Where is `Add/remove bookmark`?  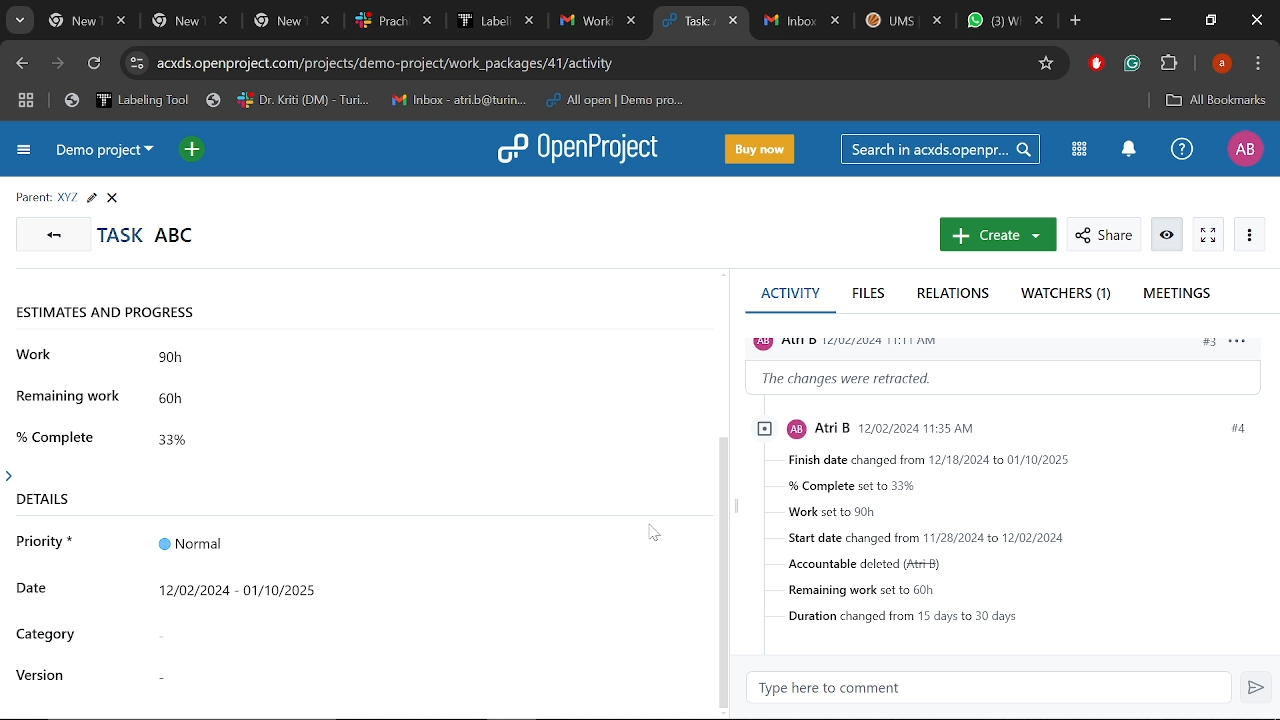 Add/remove bookmark is located at coordinates (1045, 64).